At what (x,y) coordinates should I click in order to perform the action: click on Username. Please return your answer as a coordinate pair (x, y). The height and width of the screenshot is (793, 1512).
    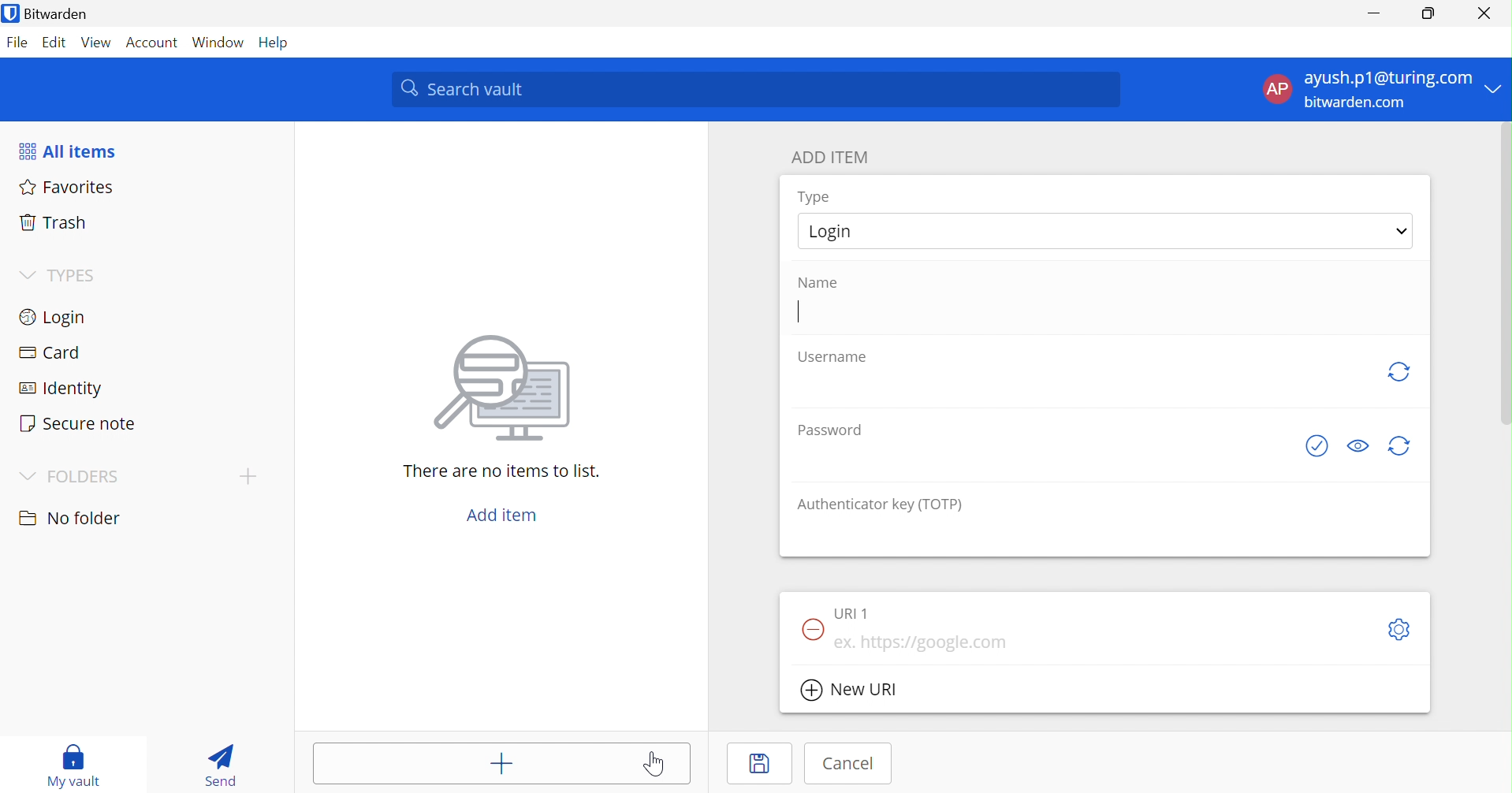
    Looking at the image, I should click on (833, 358).